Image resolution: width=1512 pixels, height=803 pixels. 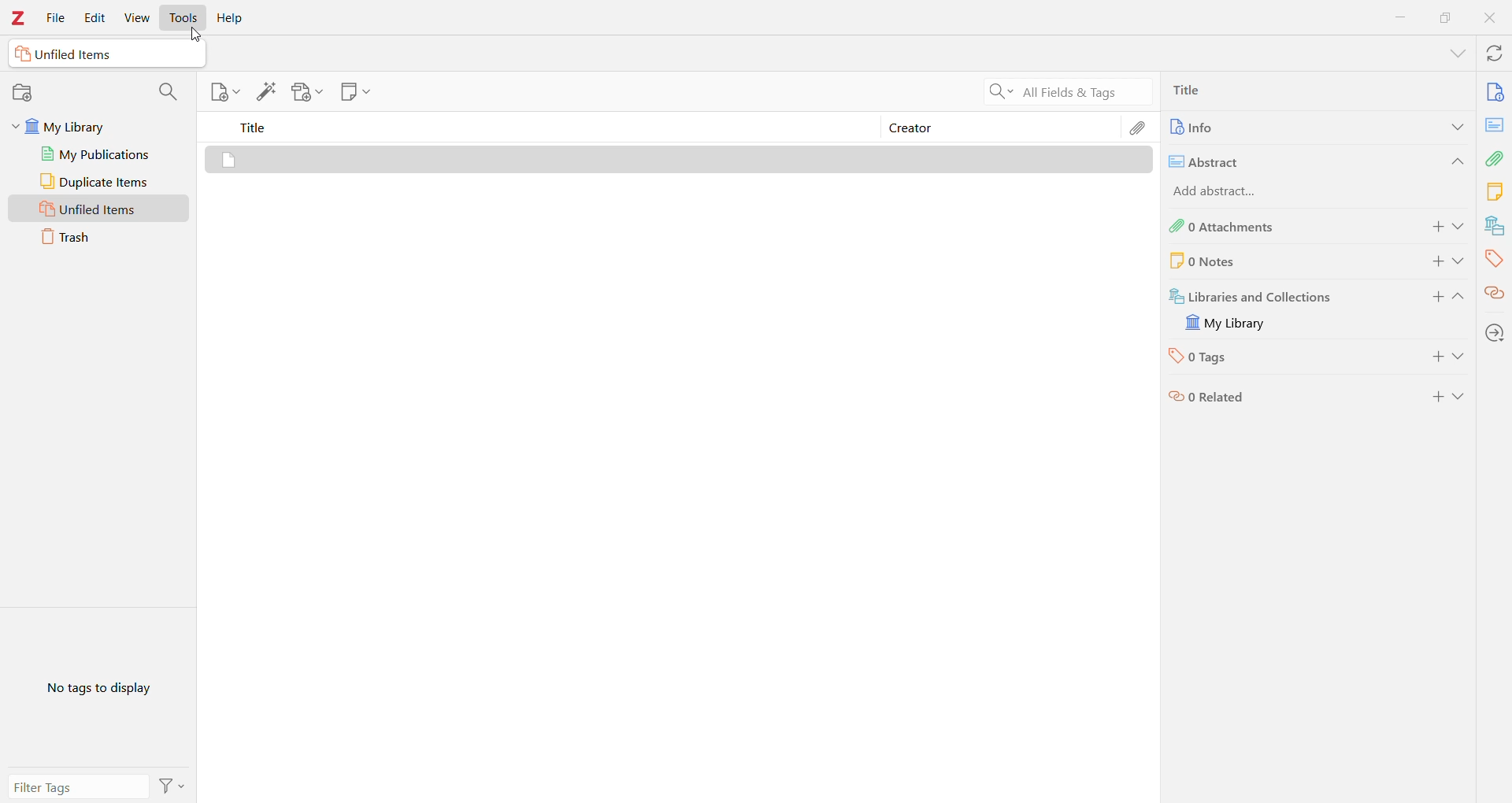 What do you see at coordinates (172, 787) in the screenshot?
I see `Actions` at bounding box center [172, 787].